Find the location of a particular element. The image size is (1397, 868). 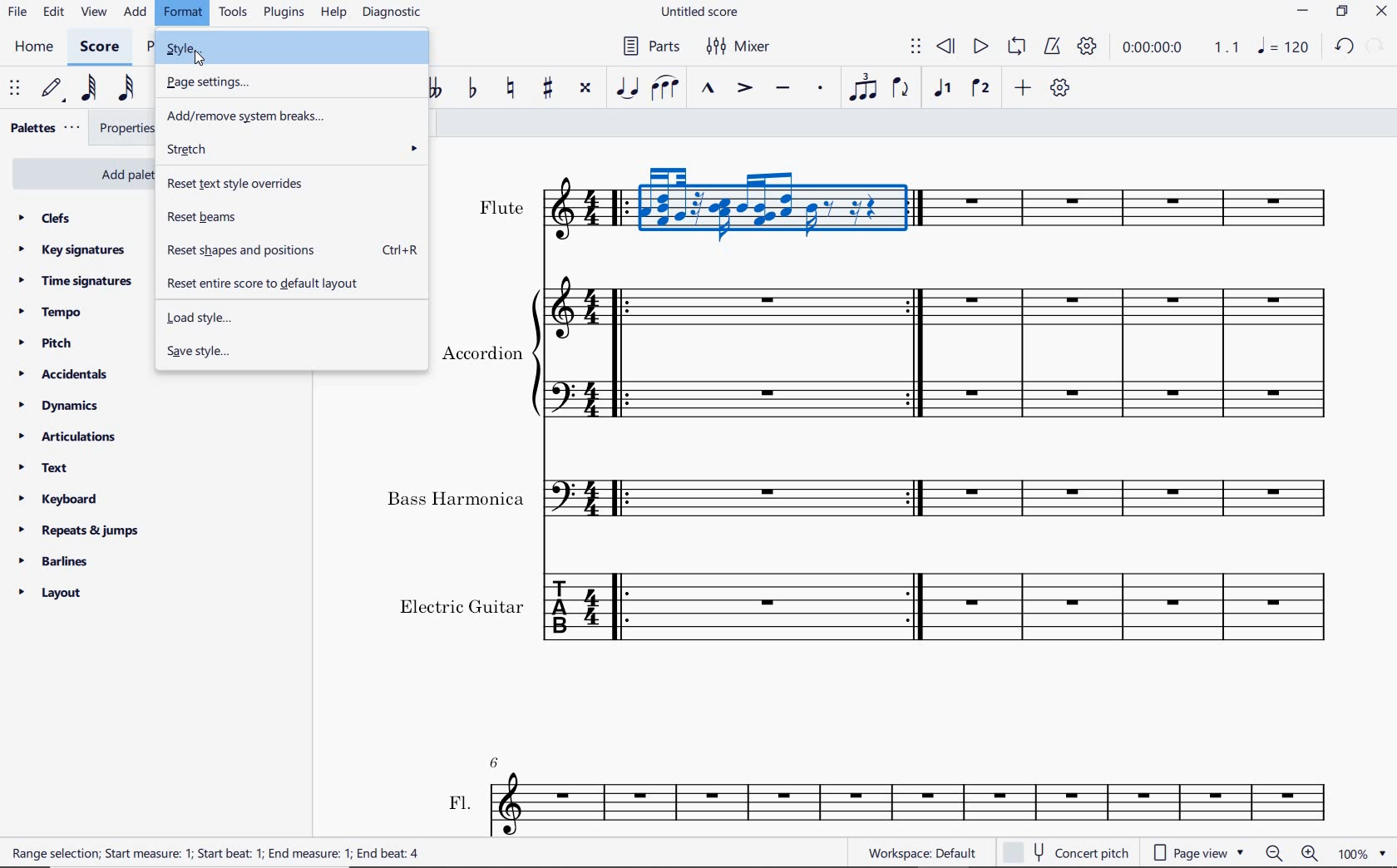

32nd note is located at coordinates (126, 91).